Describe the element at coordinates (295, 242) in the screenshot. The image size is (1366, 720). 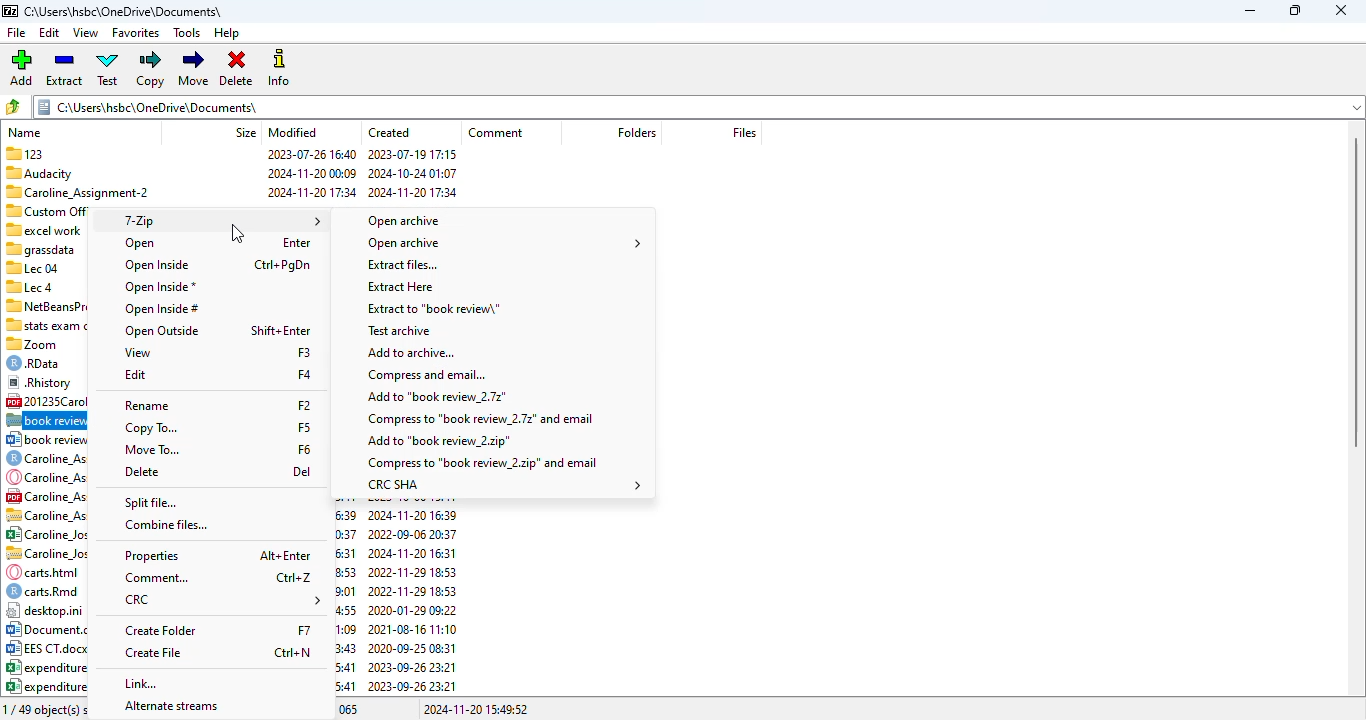
I see `shortcut for open` at that location.